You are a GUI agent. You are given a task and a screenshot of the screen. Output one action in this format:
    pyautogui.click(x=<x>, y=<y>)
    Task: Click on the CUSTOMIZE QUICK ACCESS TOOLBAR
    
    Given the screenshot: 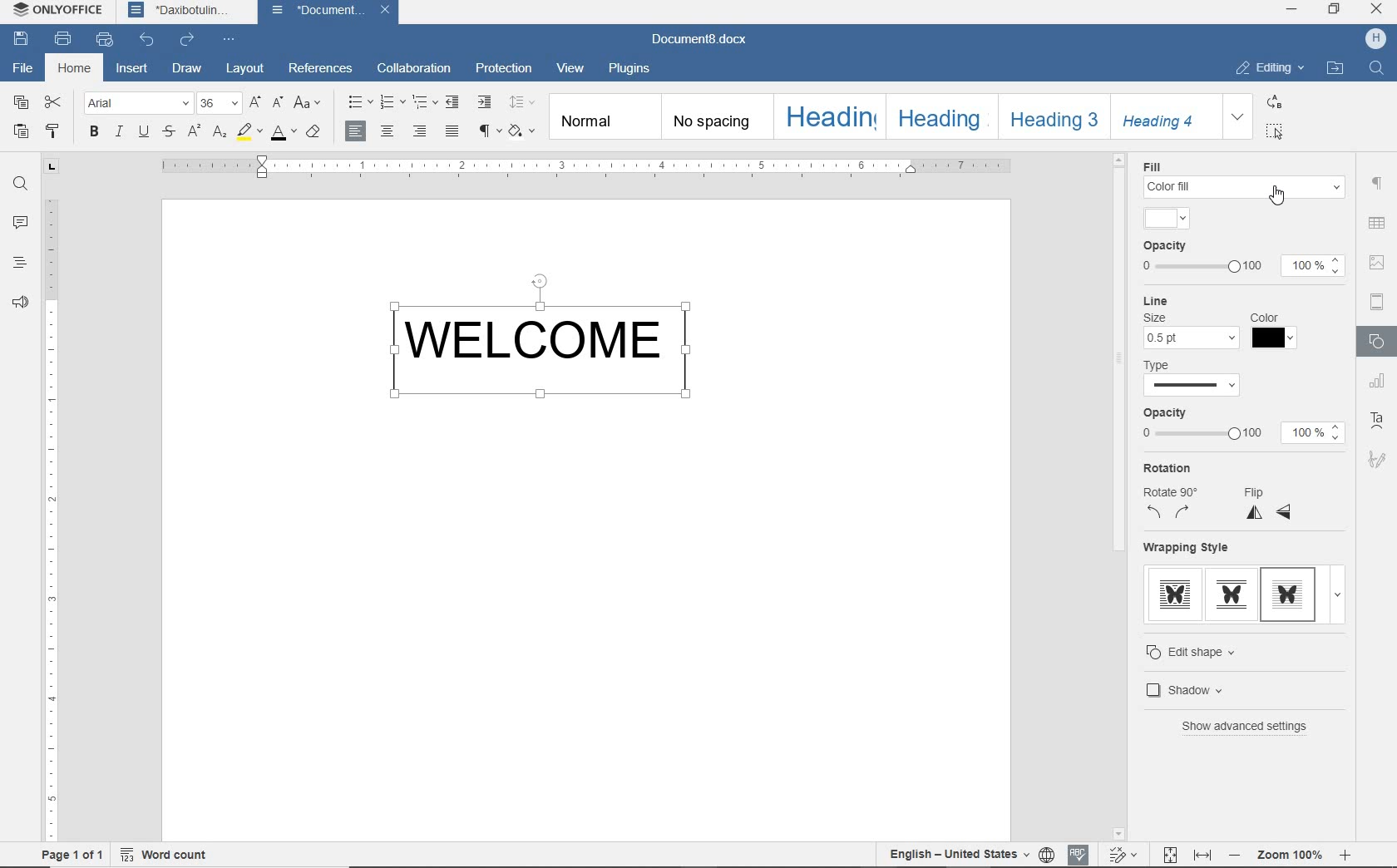 What is the action you would take?
    pyautogui.click(x=230, y=41)
    